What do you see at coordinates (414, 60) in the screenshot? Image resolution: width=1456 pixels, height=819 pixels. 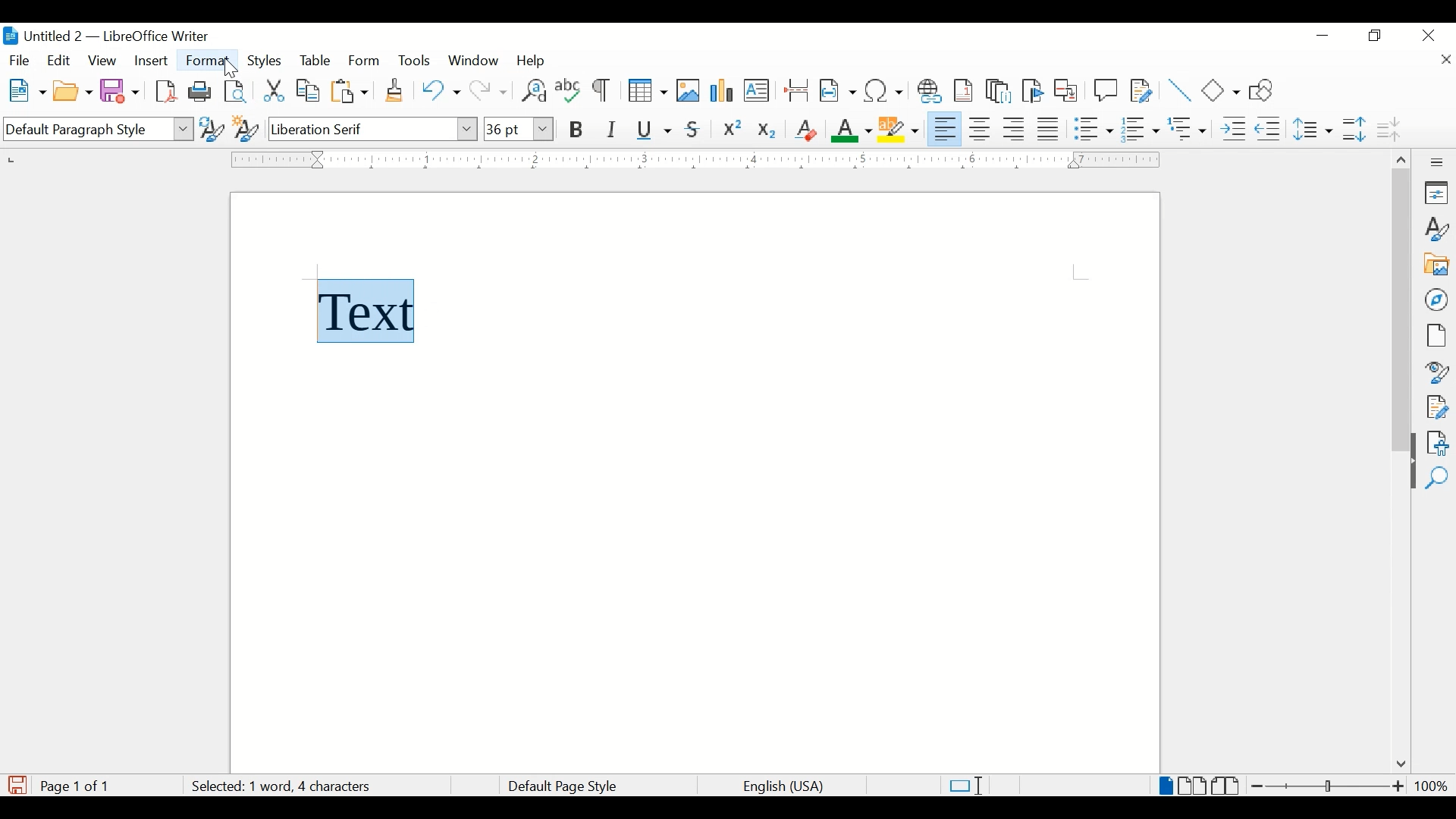 I see `tools` at bounding box center [414, 60].